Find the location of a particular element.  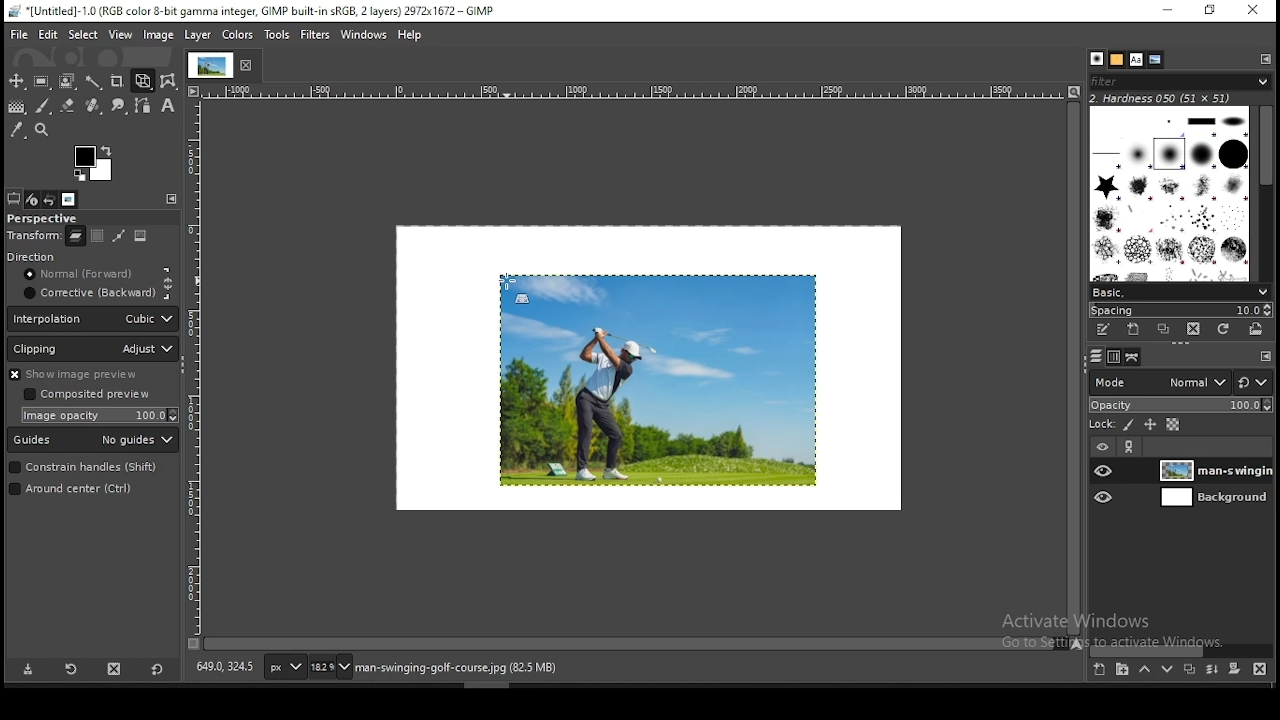

close is located at coordinates (250, 66).